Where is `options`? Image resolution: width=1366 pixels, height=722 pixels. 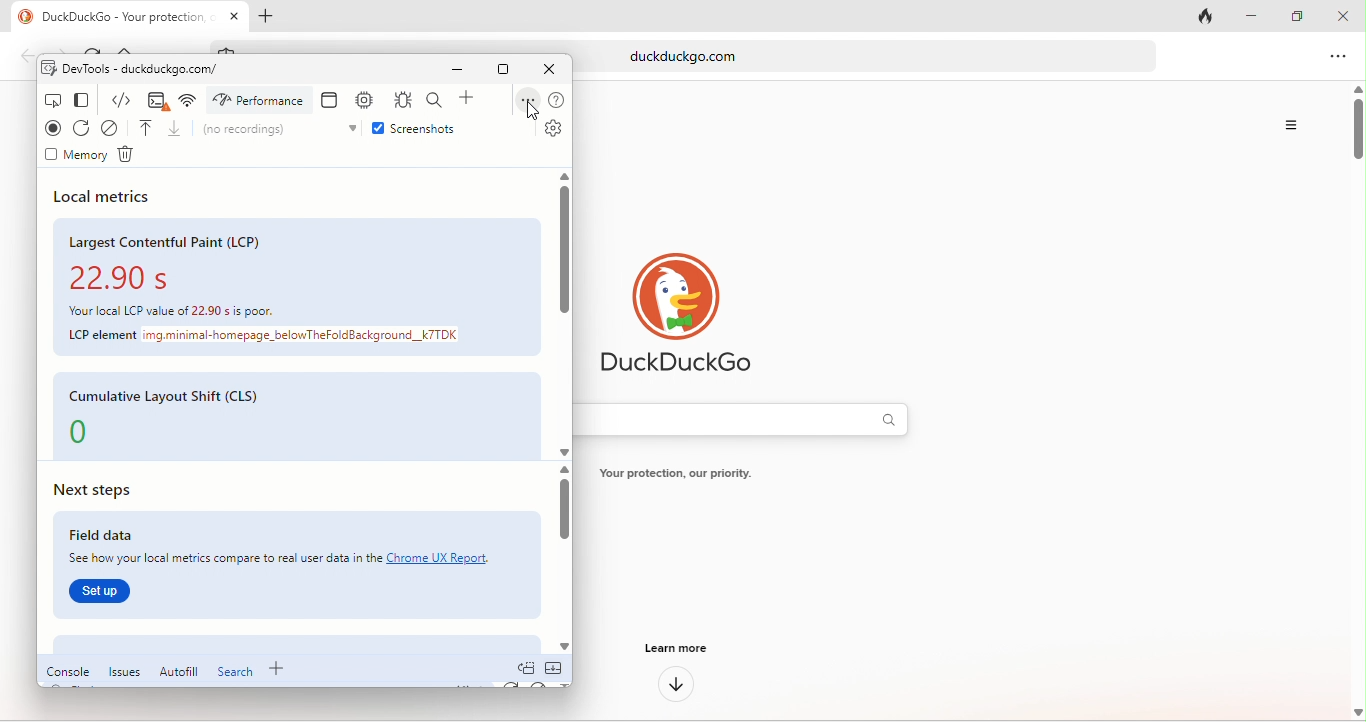 options is located at coordinates (526, 101).